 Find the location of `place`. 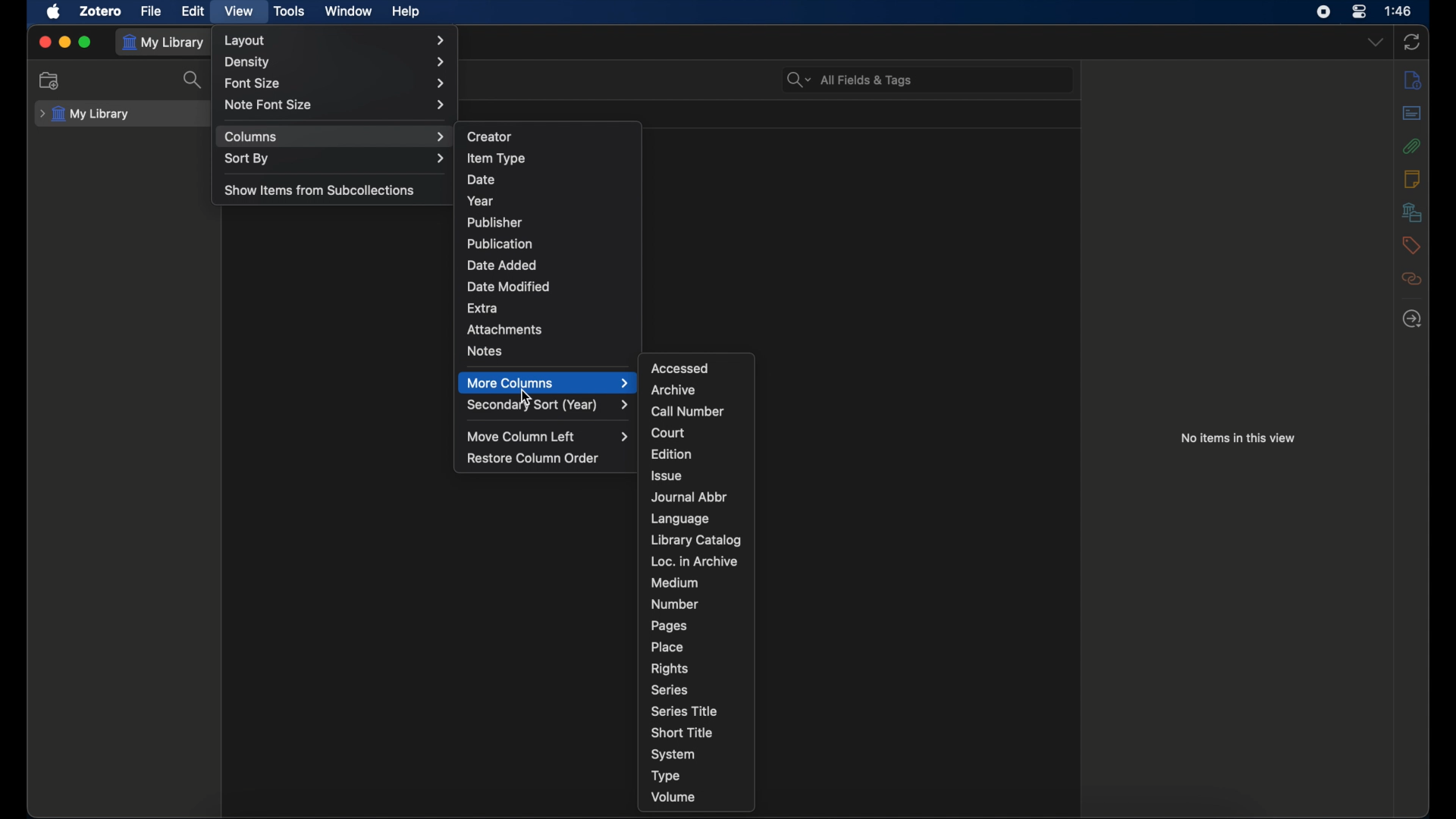

place is located at coordinates (668, 647).